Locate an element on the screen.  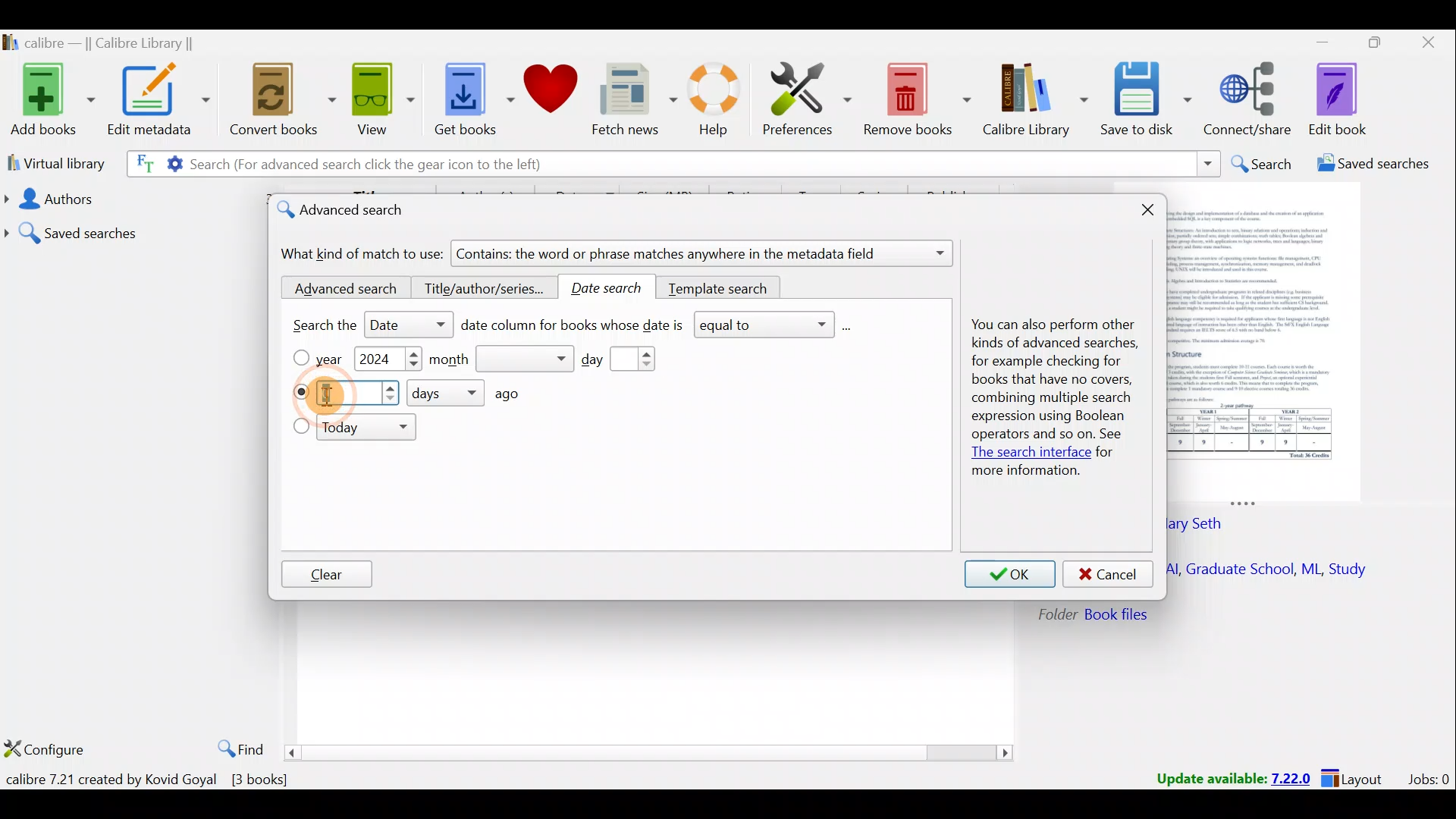
What day? is located at coordinates (360, 394).